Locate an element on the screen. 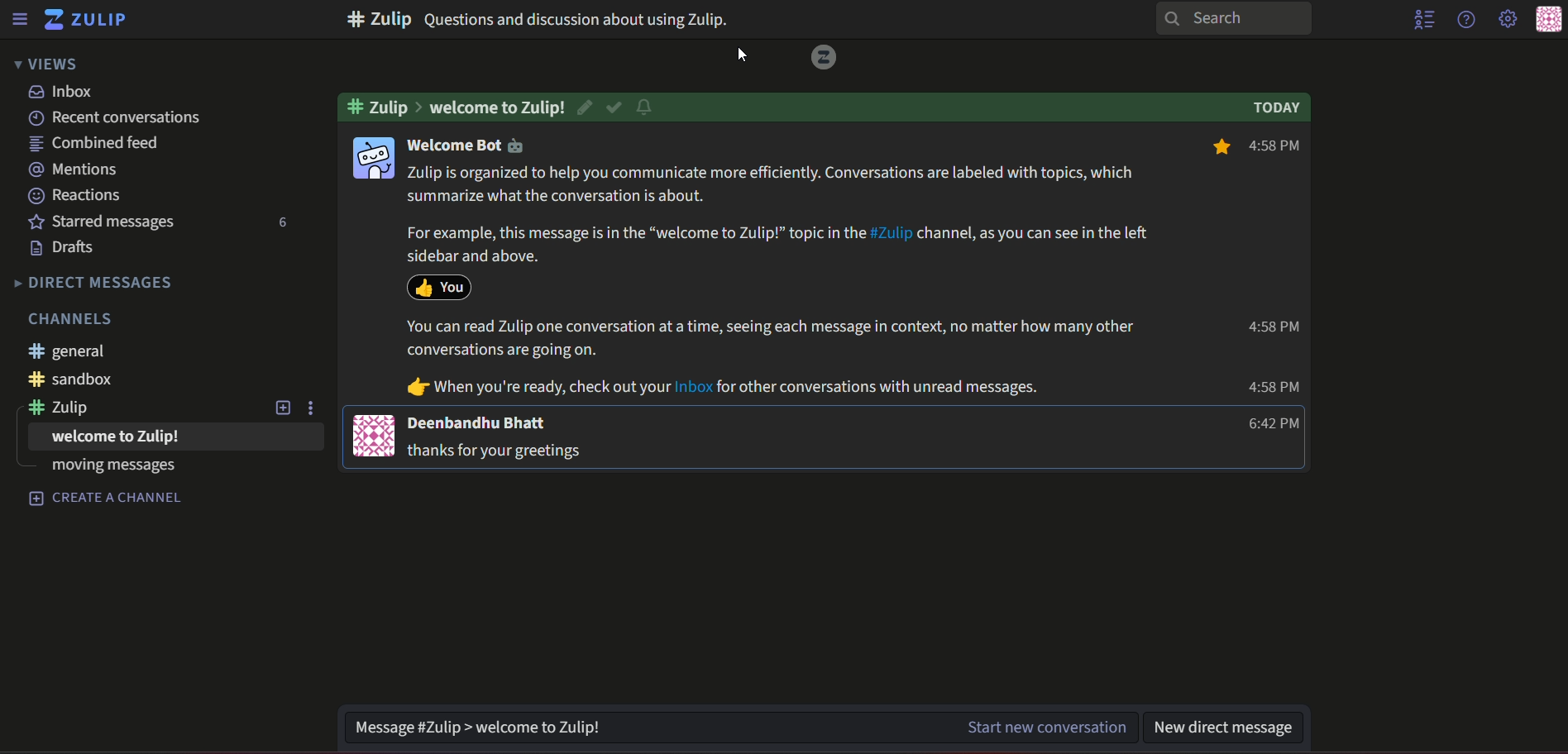 The image size is (1568, 754). textbox is located at coordinates (1230, 725).